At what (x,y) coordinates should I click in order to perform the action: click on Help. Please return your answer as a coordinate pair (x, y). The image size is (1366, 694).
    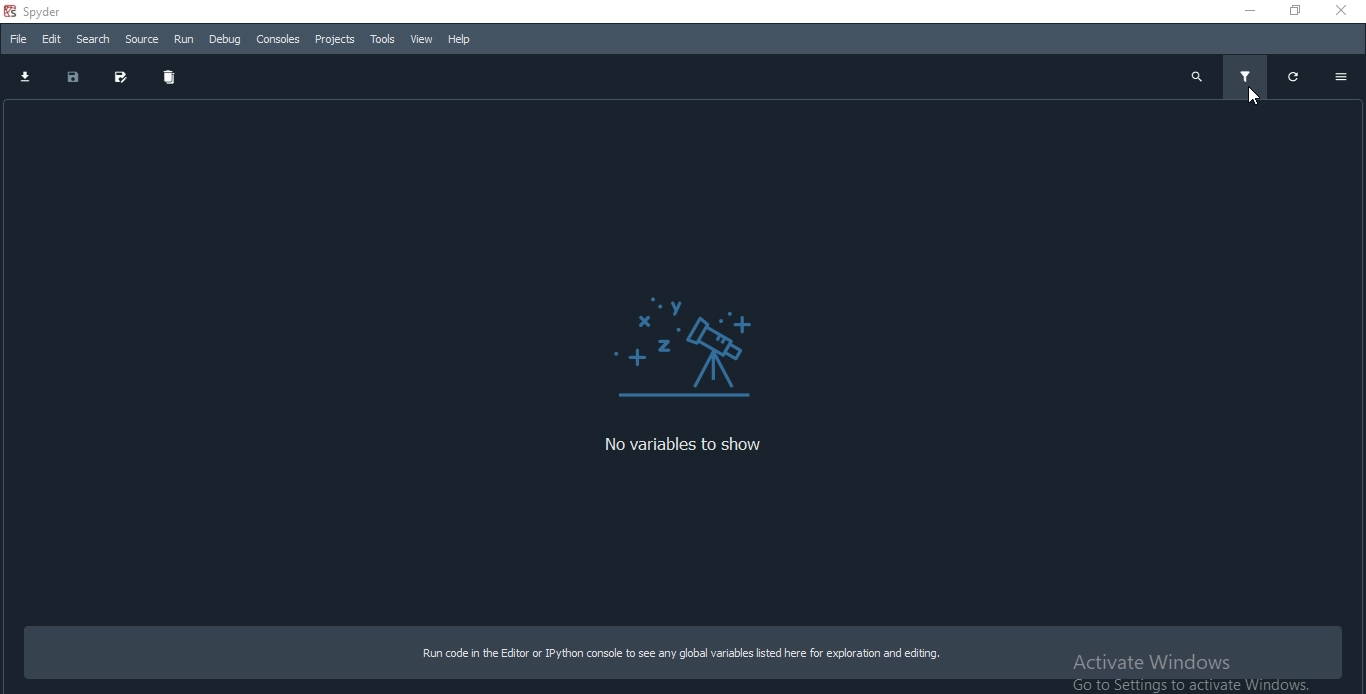
    Looking at the image, I should click on (459, 40).